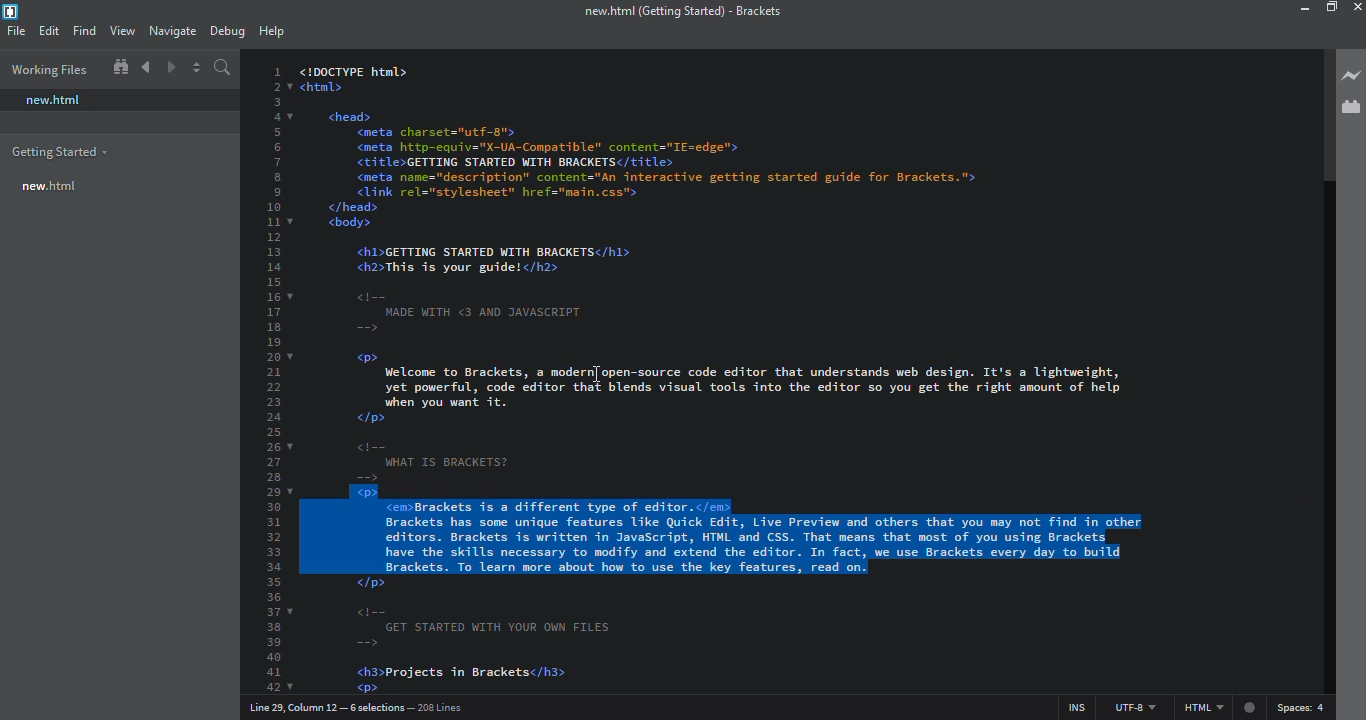 Image resolution: width=1366 pixels, height=720 pixels. I want to click on line, so click(363, 708).